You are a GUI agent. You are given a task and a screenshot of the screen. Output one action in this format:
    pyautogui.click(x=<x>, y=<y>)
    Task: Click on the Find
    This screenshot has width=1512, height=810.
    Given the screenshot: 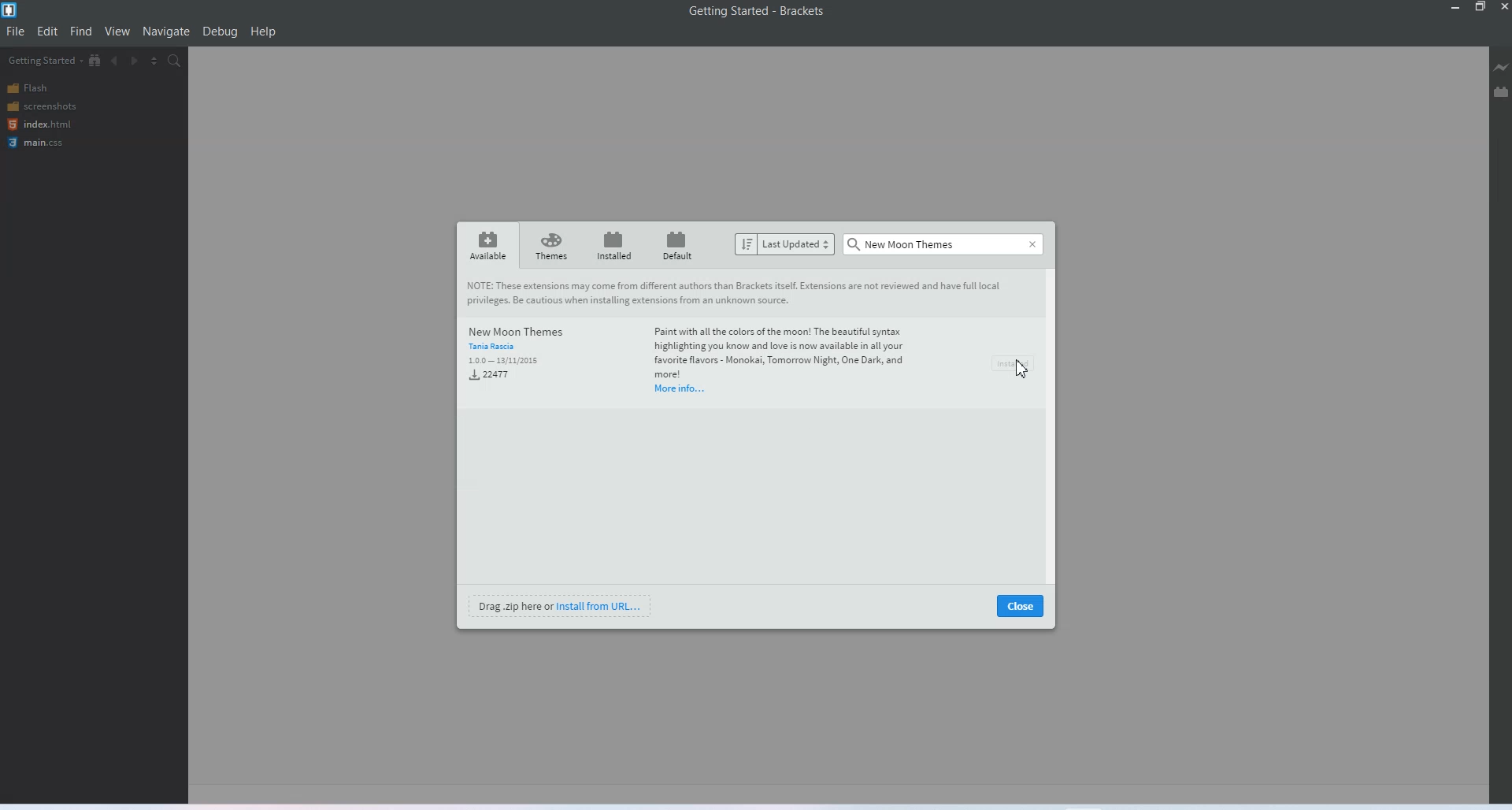 What is the action you would take?
    pyautogui.click(x=81, y=32)
    